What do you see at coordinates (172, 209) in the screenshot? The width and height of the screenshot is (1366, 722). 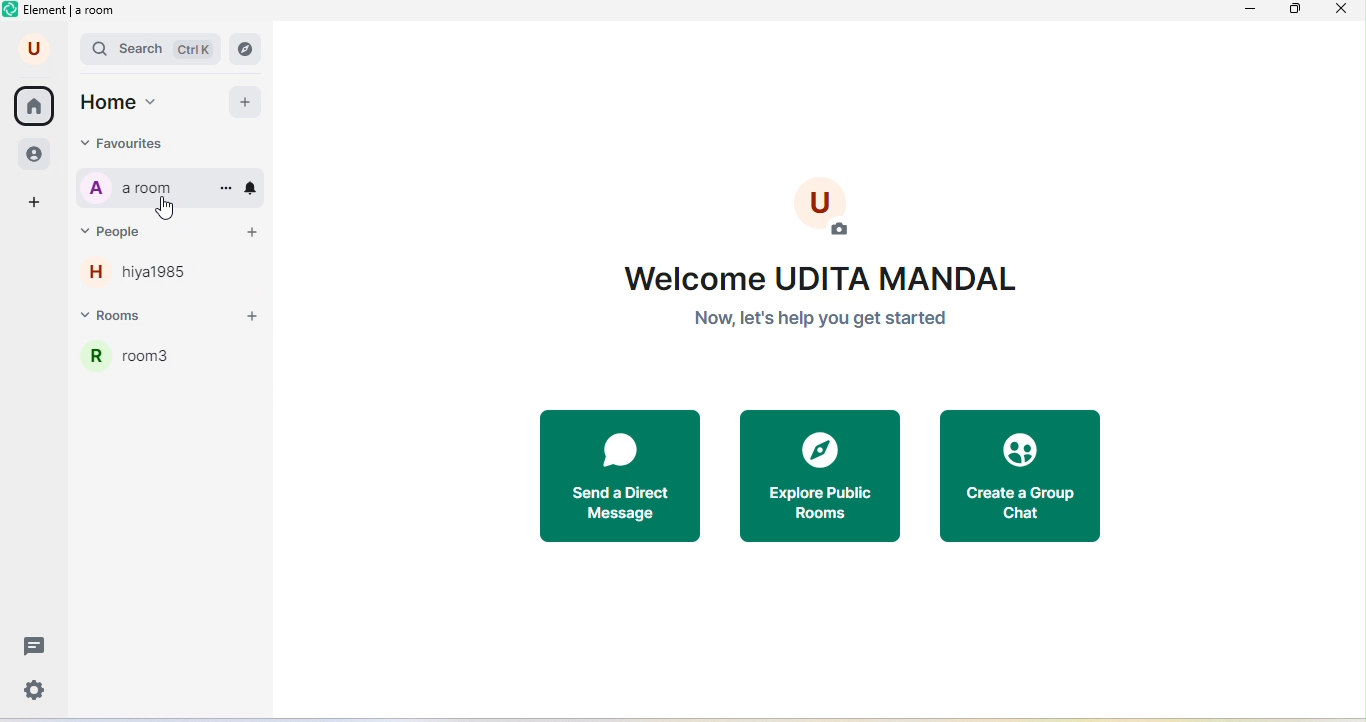 I see `cursor` at bounding box center [172, 209].